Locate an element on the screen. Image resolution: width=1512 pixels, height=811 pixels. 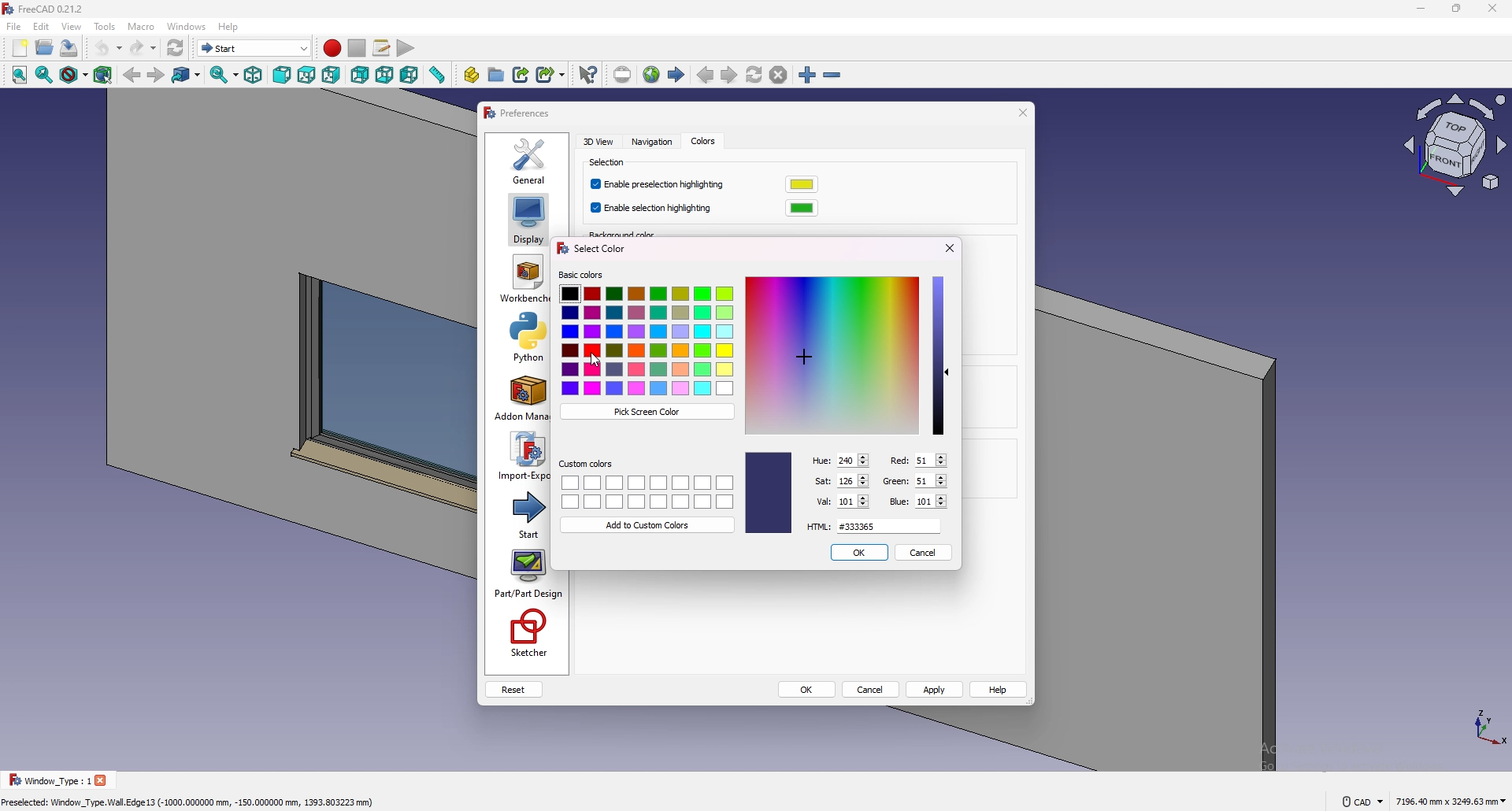
front is located at coordinates (283, 76).